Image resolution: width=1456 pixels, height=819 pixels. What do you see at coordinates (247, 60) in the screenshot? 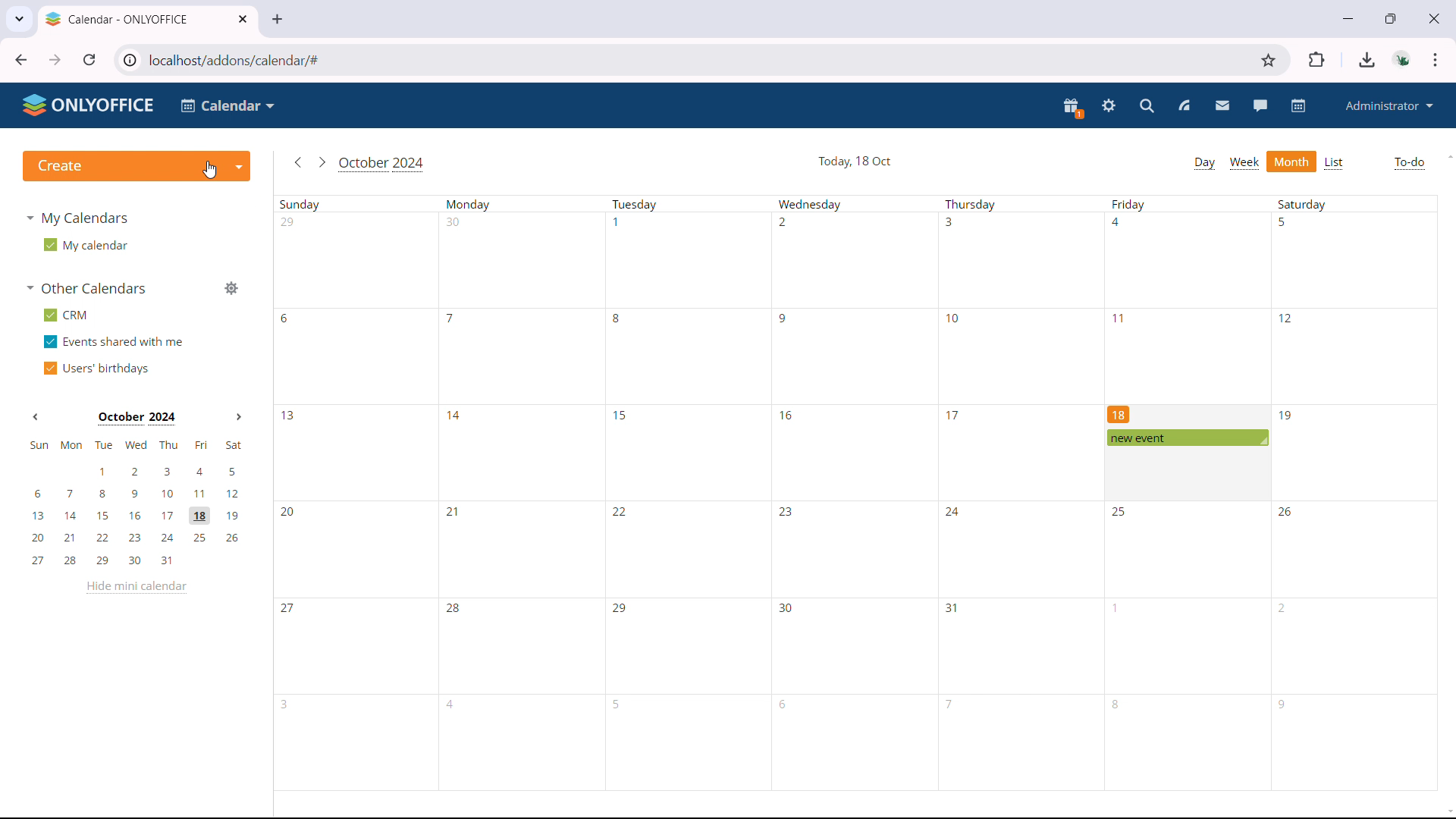
I see `localhost/addons/calendar/#` at bounding box center [247, 60].